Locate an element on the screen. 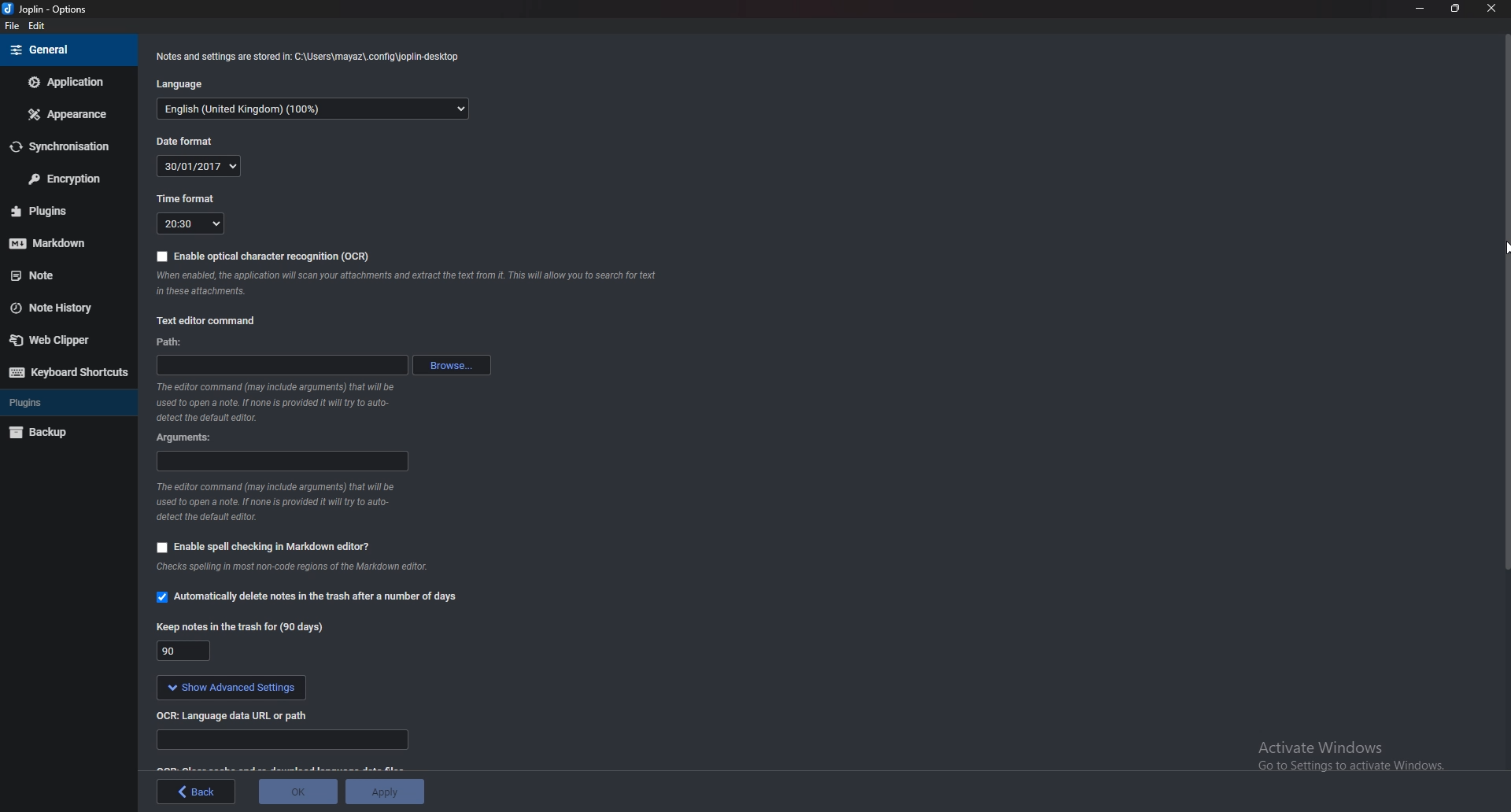 Image resolution: width=1511 pixels, height=812 pixels. Automatically delete notes is located at coordinates (310, 599).